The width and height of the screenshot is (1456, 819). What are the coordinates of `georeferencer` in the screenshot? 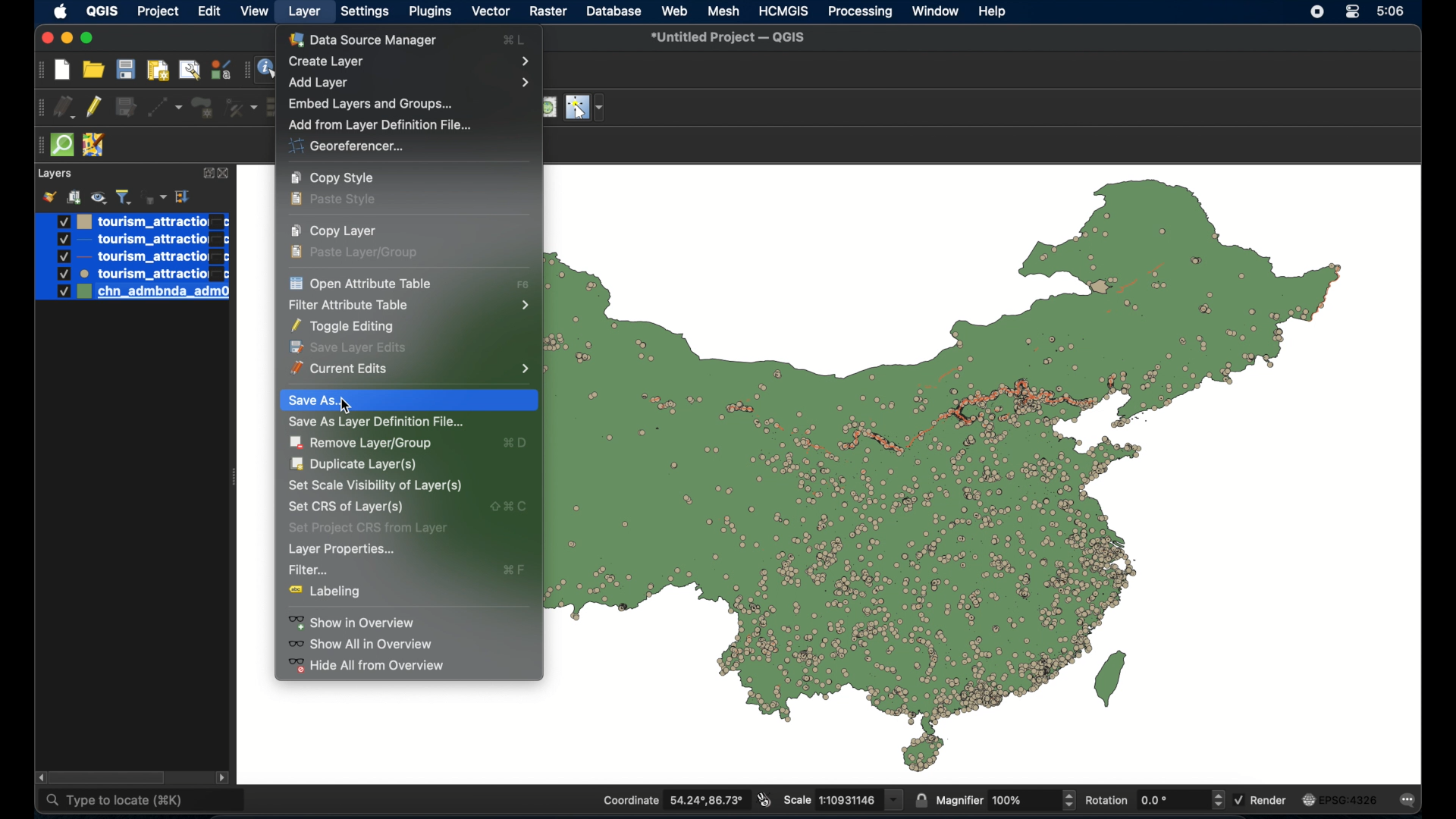 It's located at (348, 148).